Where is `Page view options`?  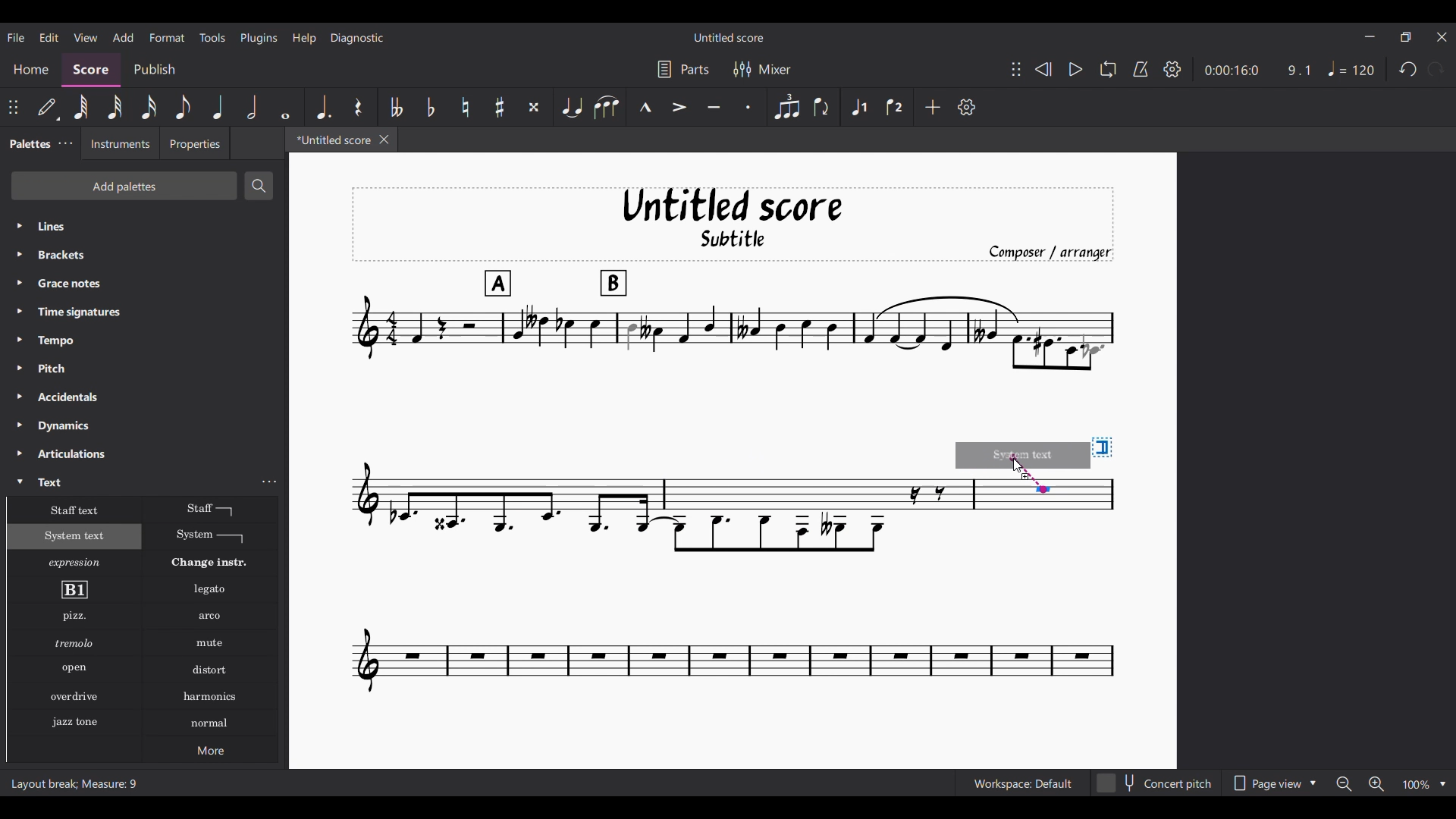
Page view options is located at coordinates (1272, 783).